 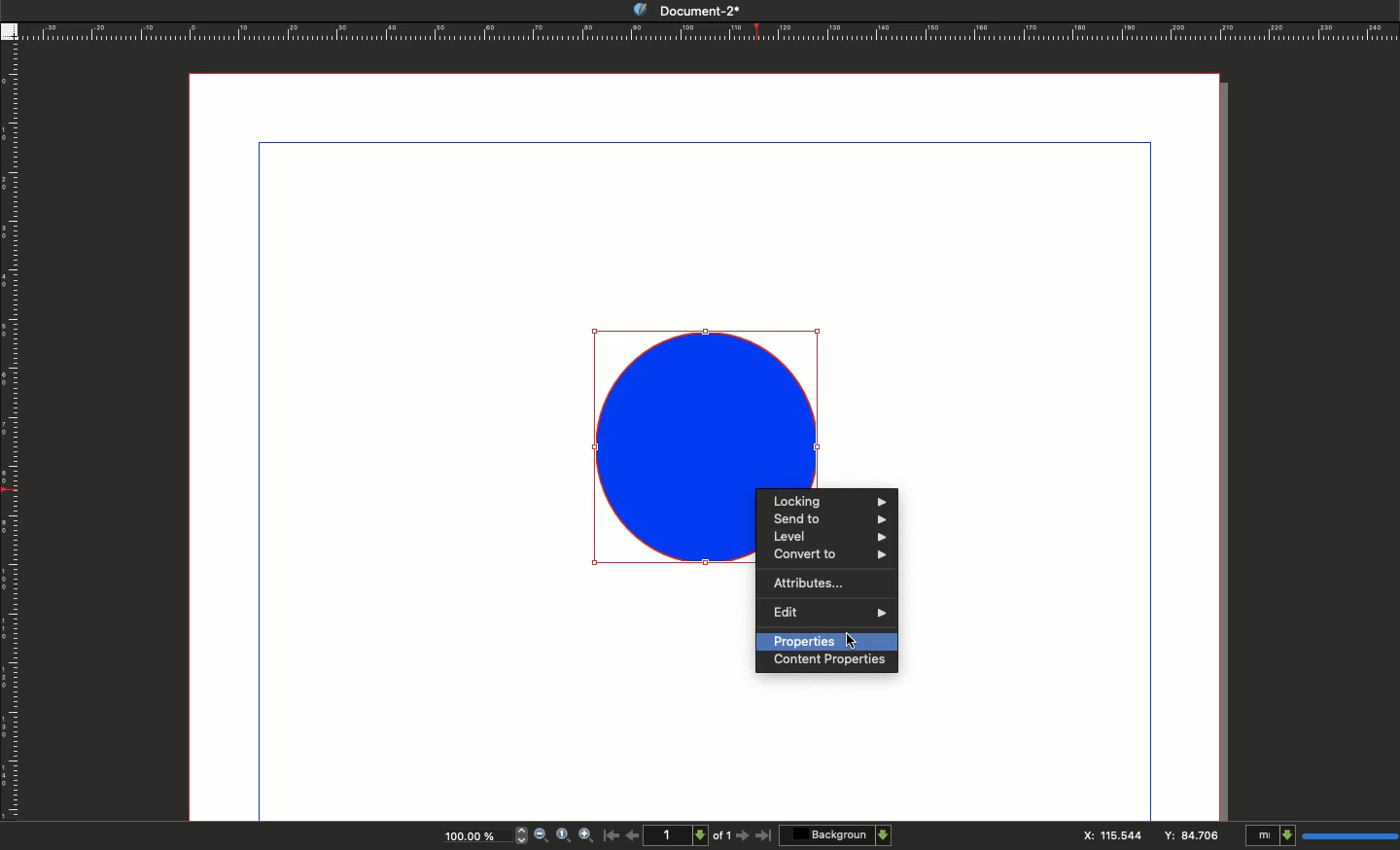 I want to click on cursor, so click(x=853, y=641).